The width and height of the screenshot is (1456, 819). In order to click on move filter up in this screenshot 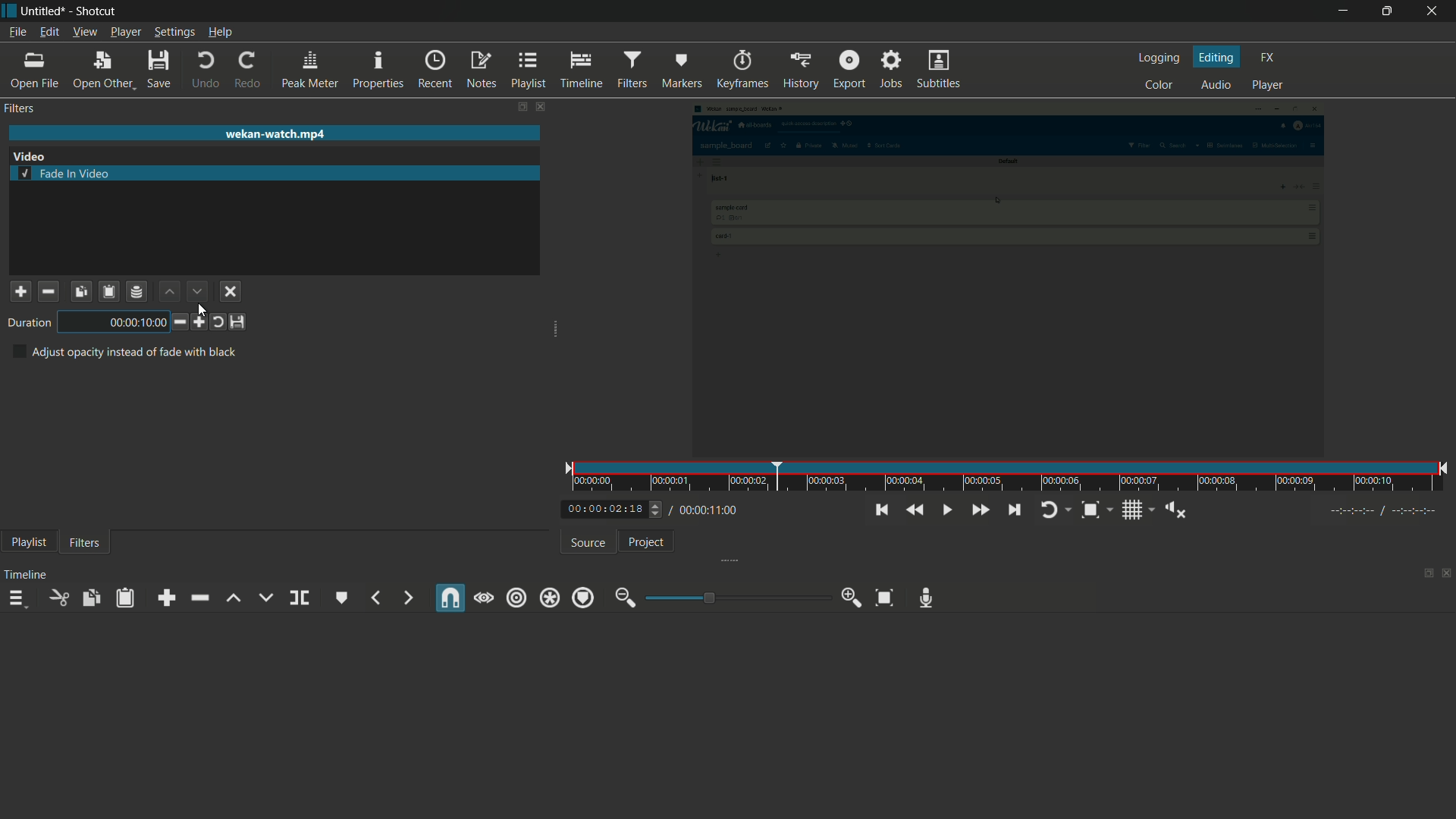, I will do `click(168, 290)`.